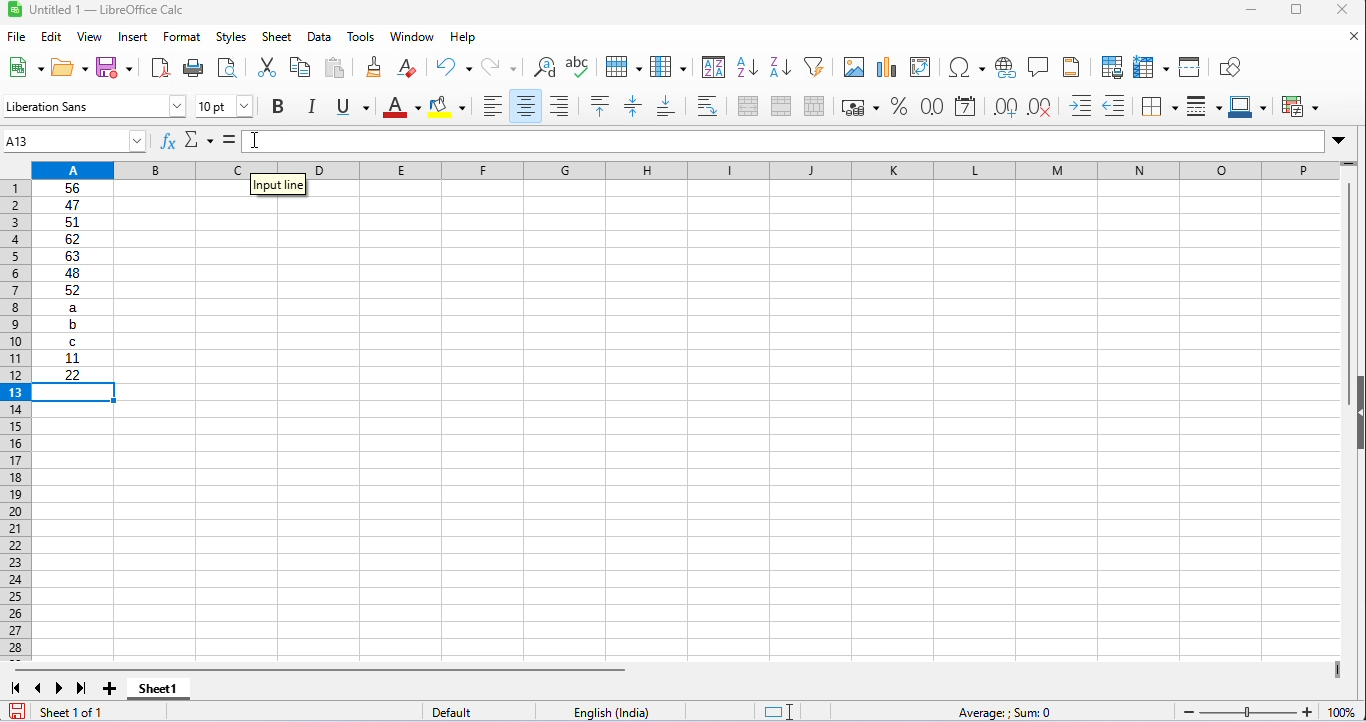  Describe the element at coordinates (97, 711) in the screenshot. I see `sheet 1 of 1` at that location.